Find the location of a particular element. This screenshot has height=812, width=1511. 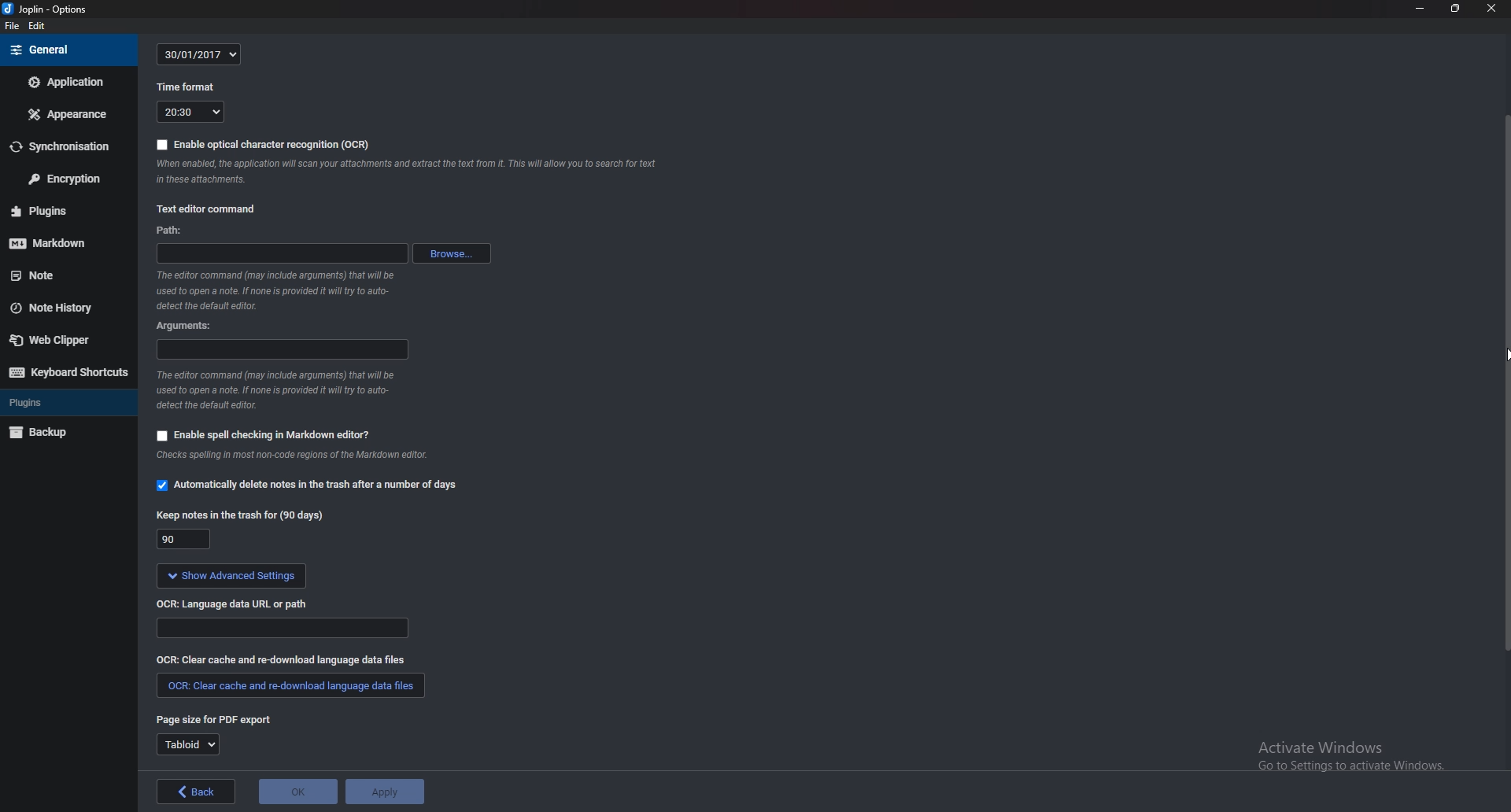

file is located at coordinates (13, 26).